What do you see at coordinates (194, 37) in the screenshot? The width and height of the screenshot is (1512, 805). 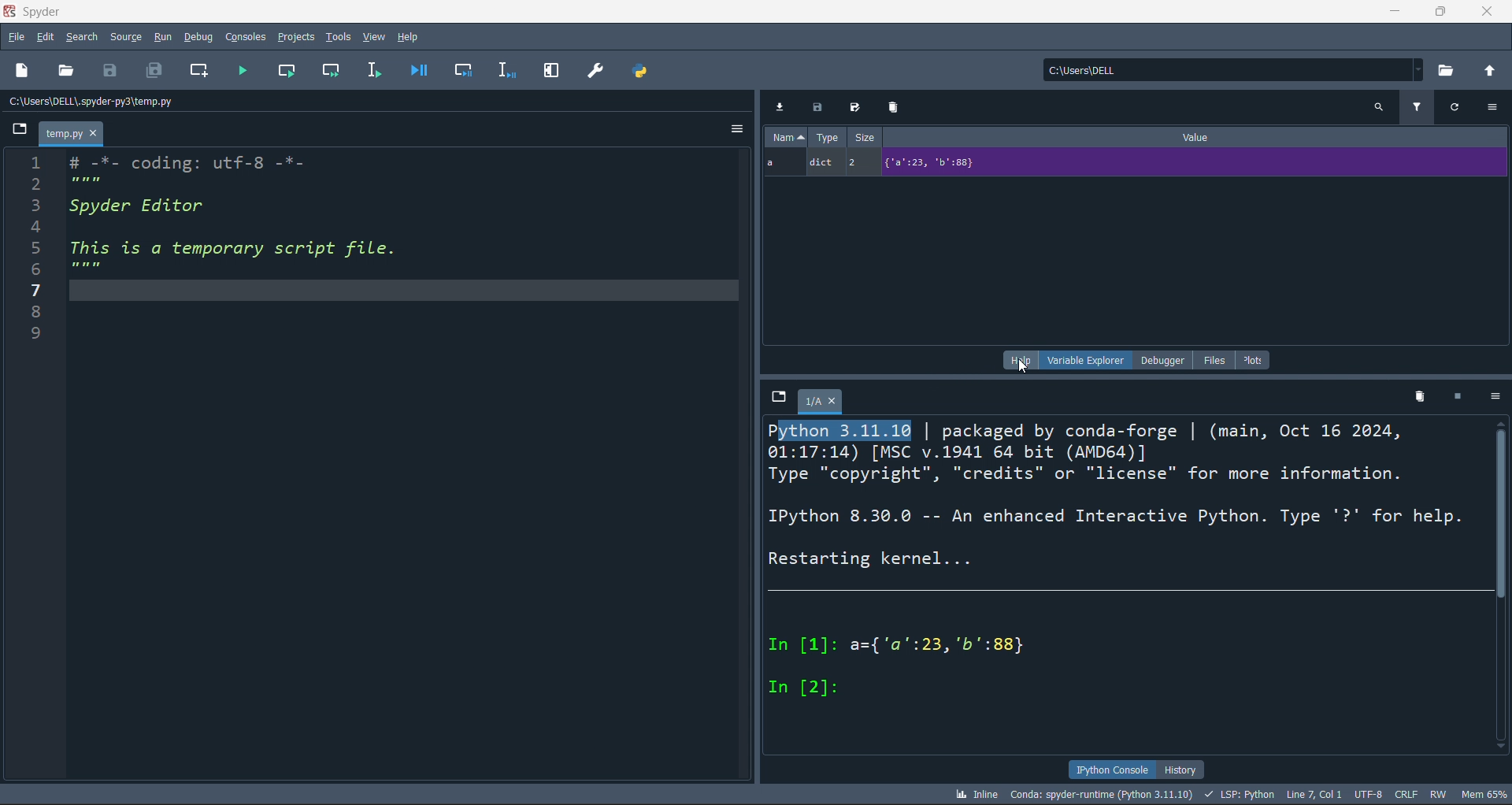 I see `debug` at bounding box center [194, 37].